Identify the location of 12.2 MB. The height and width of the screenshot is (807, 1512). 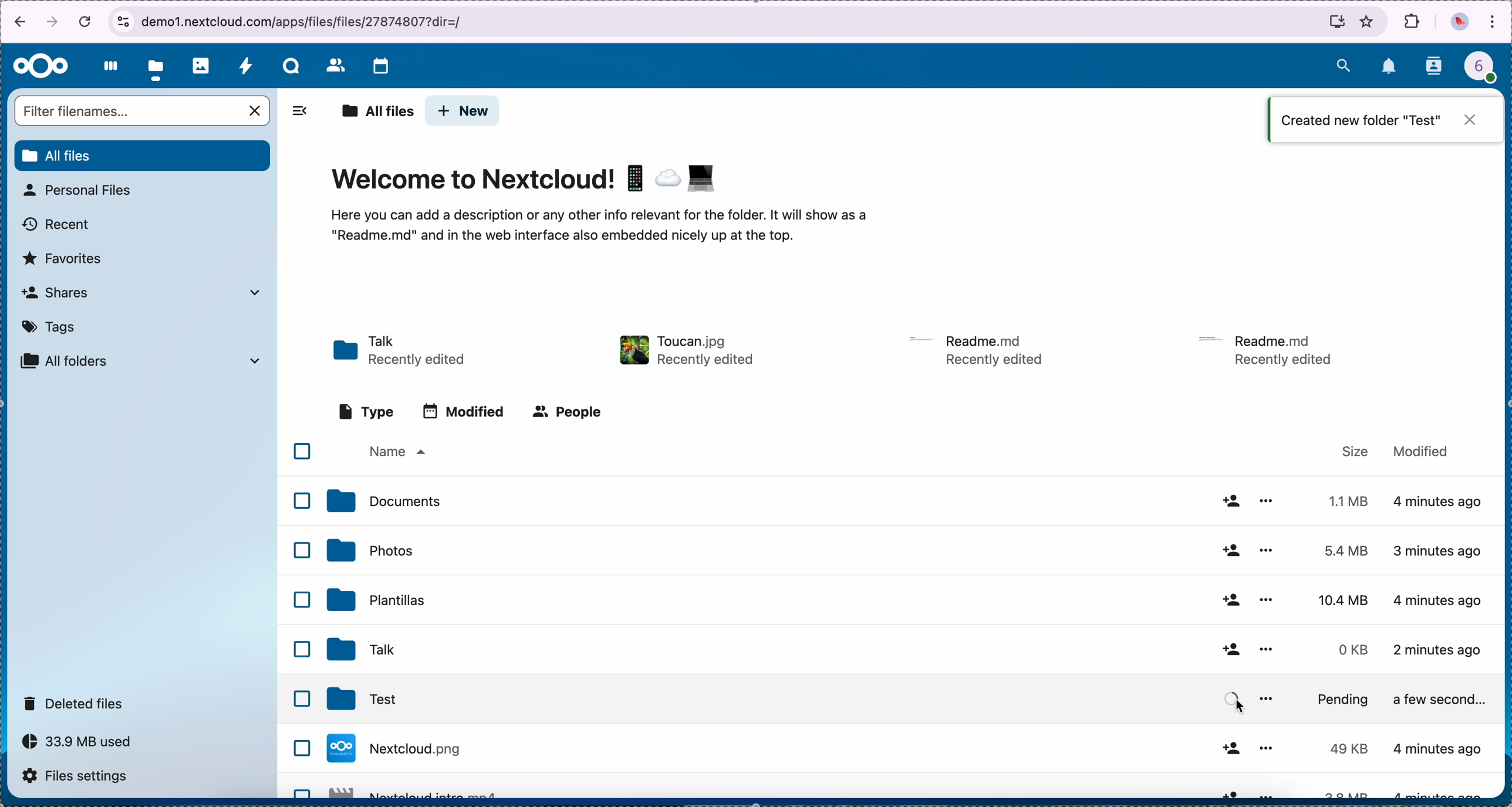
(1338, 792).